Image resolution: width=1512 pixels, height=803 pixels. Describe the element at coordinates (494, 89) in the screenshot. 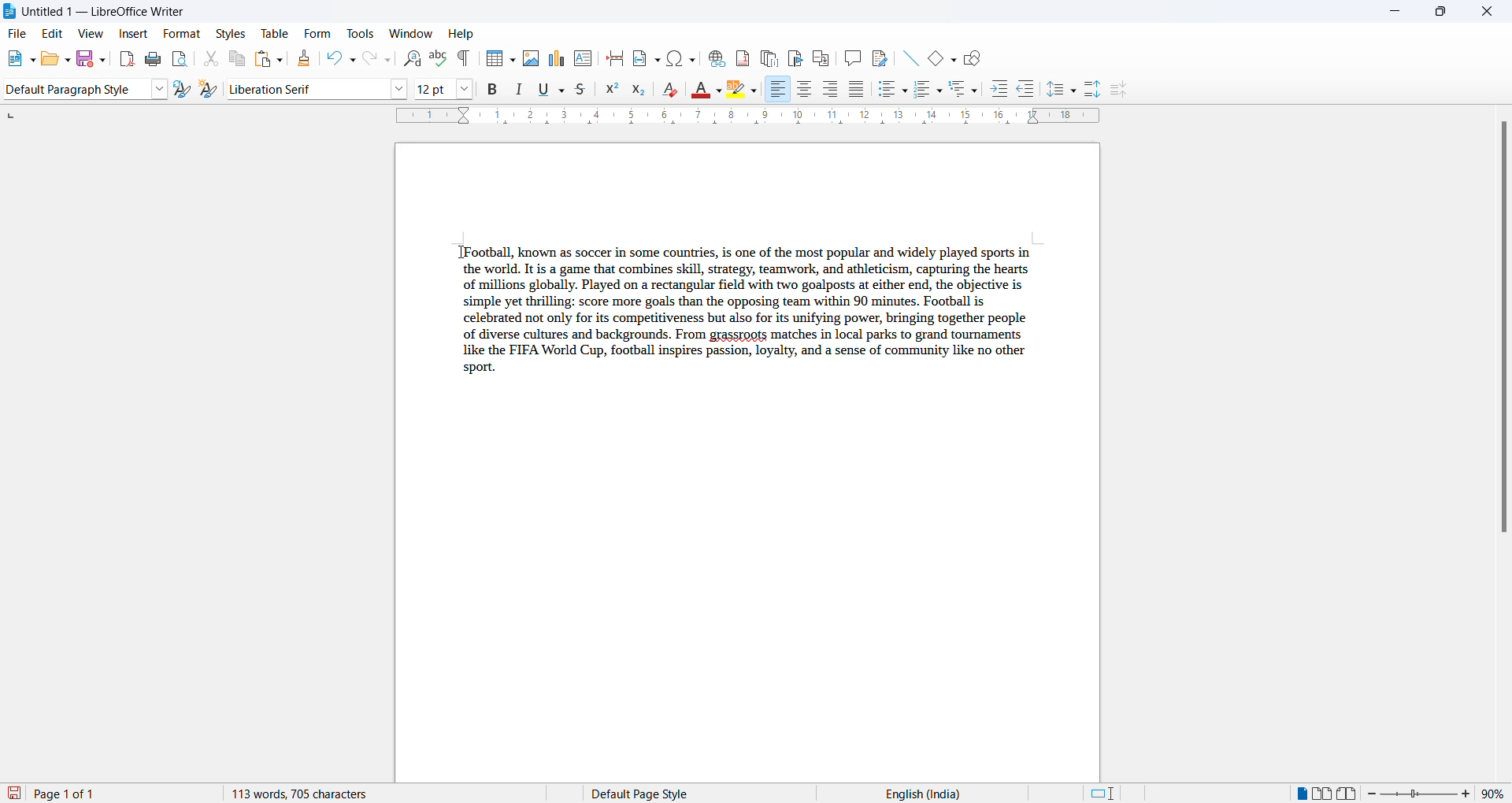

I see `bold` at that location.